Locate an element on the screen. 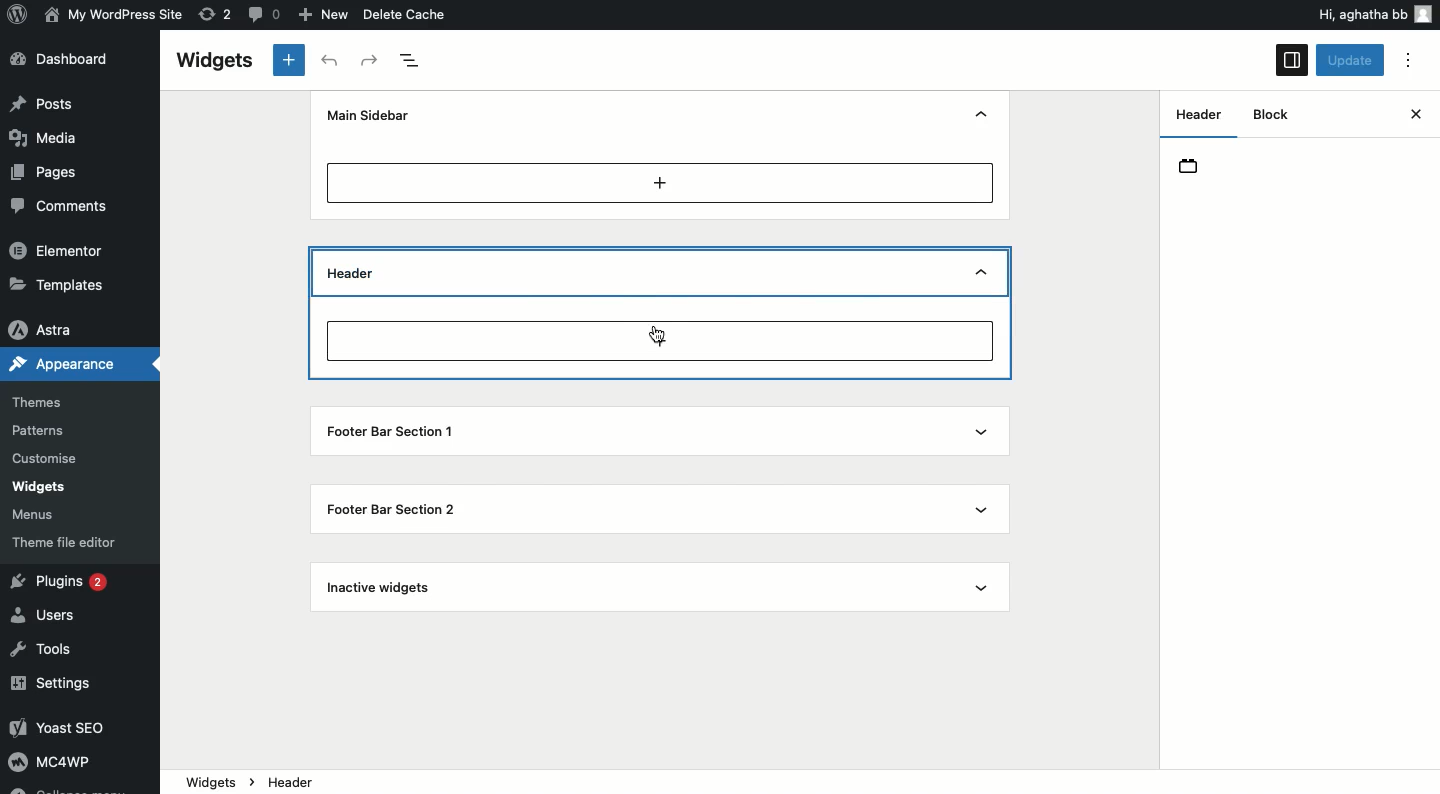  Footer Bar Section 2 is located at coordinates (396, 513).